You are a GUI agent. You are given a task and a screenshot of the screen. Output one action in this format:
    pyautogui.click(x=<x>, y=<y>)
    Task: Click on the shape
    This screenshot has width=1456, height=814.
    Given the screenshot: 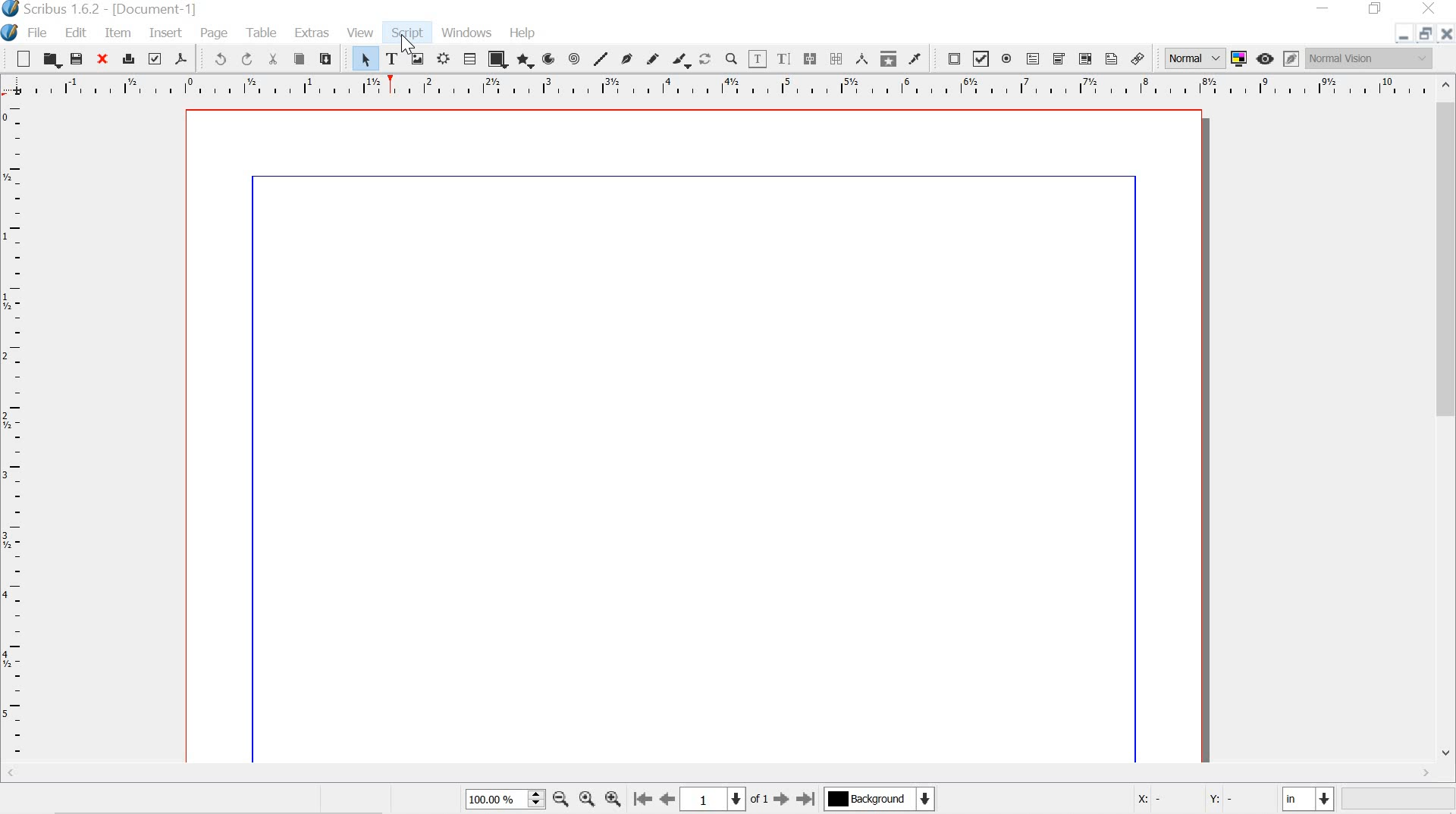 What is the action you would take?
    pyautogui.click(x=497, y=59)
    